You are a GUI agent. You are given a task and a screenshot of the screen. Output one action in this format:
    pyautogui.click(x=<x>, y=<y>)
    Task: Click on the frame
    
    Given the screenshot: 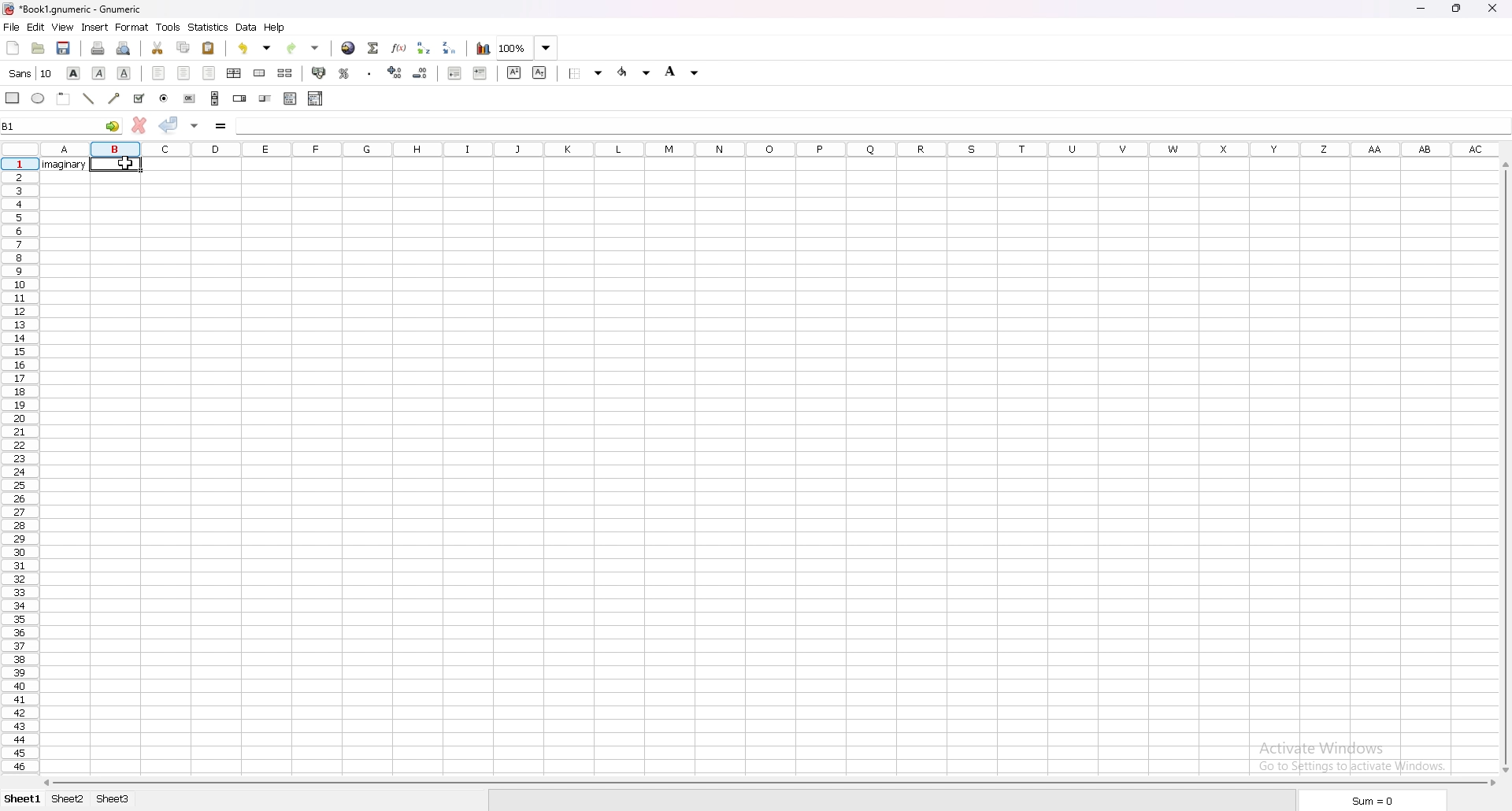 What is the action you would take?
    pyautogui.click(x=63, y=98)
    